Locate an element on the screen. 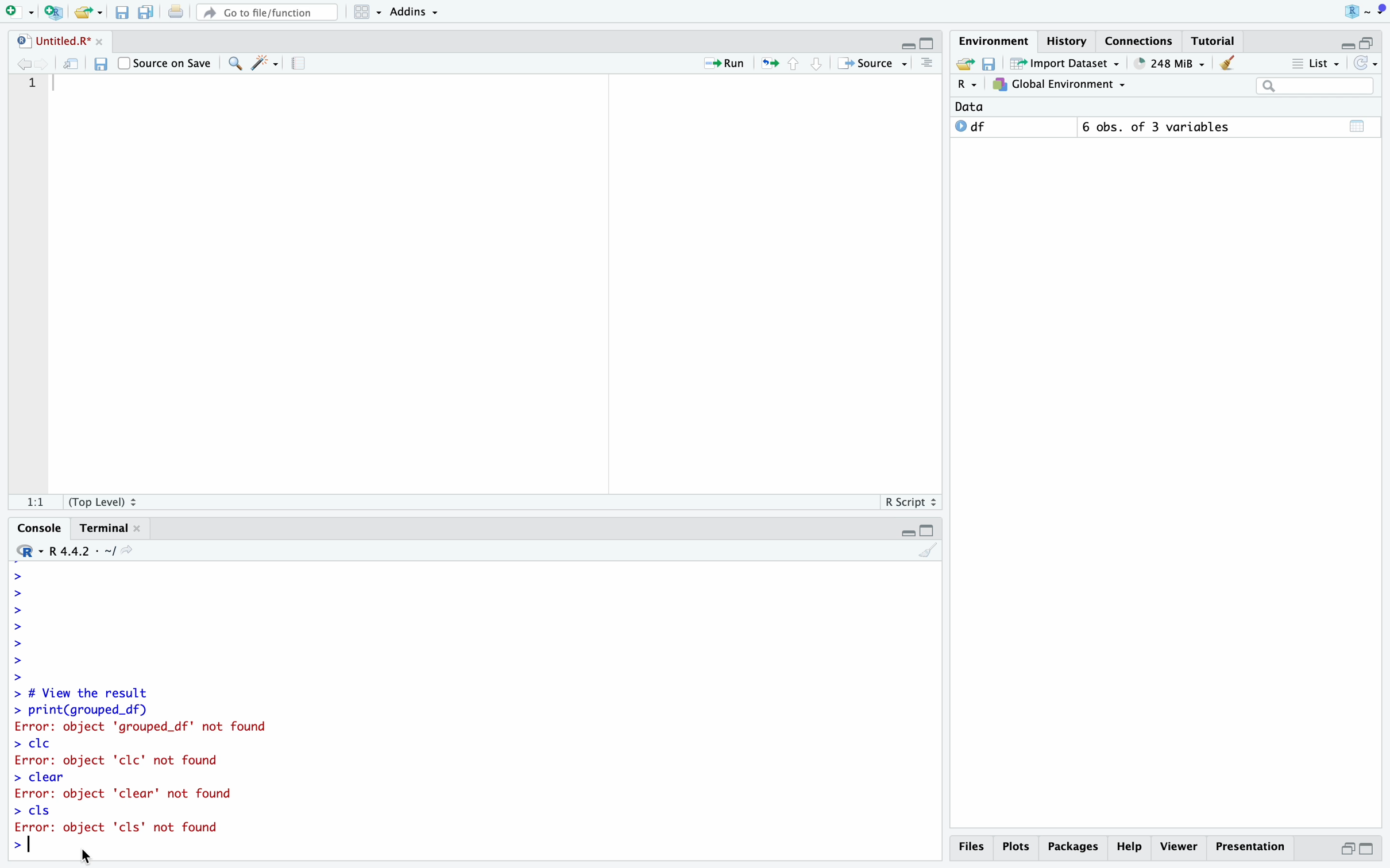 The height and width of the screenshot is (868, 1390). Go to next location is located at coordinates (43, 65).